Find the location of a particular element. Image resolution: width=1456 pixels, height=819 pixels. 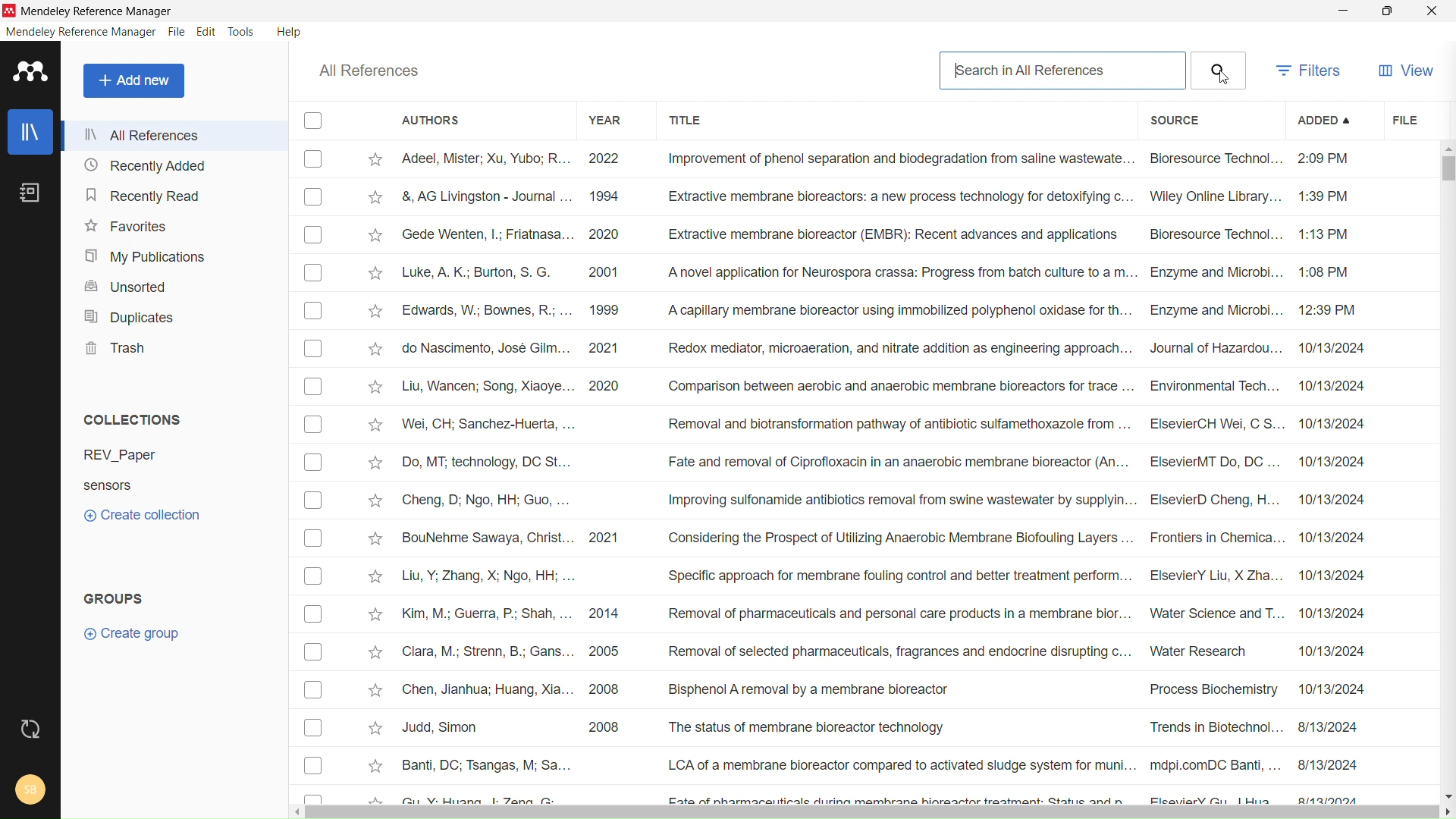

recently read is located at coordinates (174, 193).